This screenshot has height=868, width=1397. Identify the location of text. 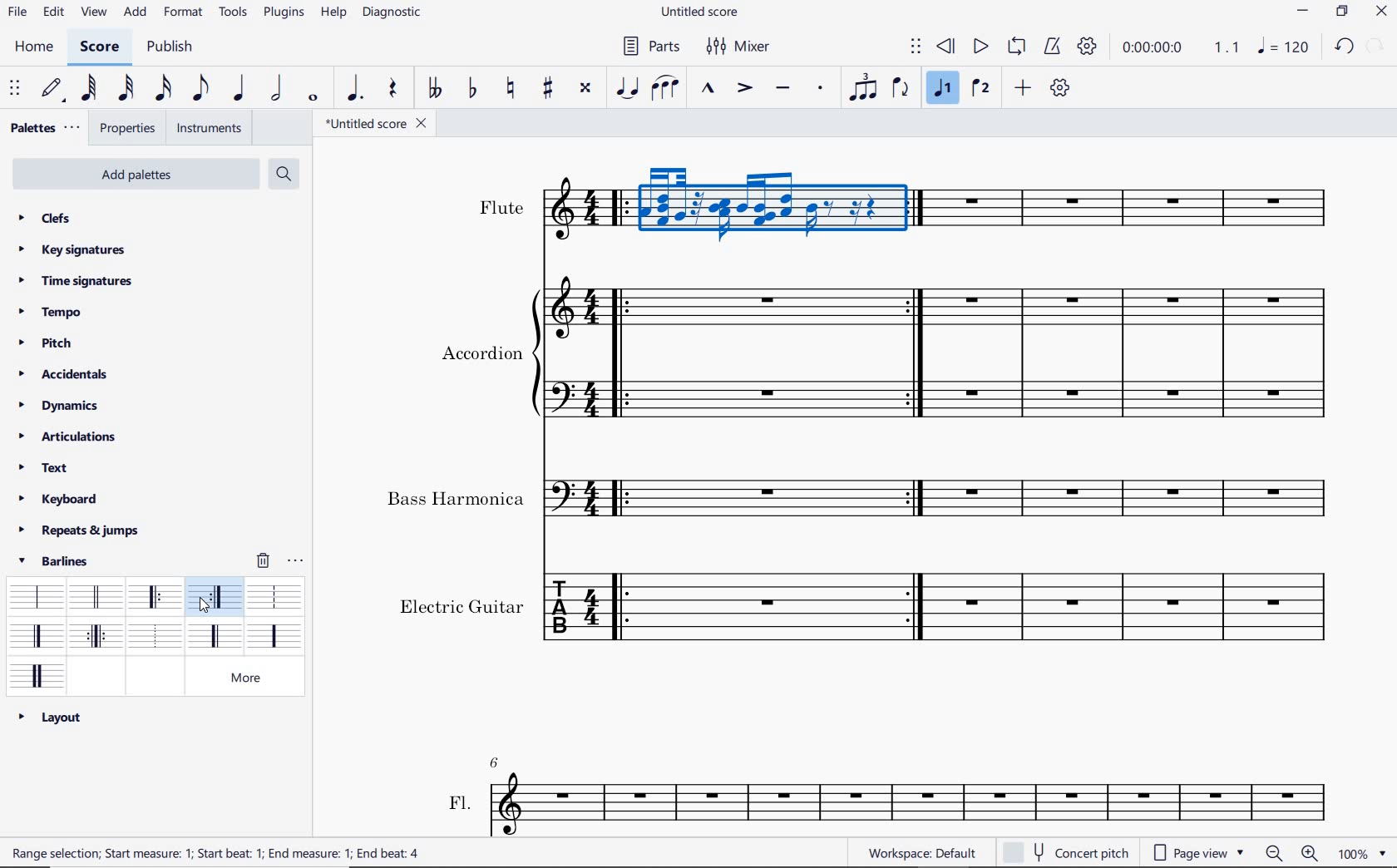
(501, 207).